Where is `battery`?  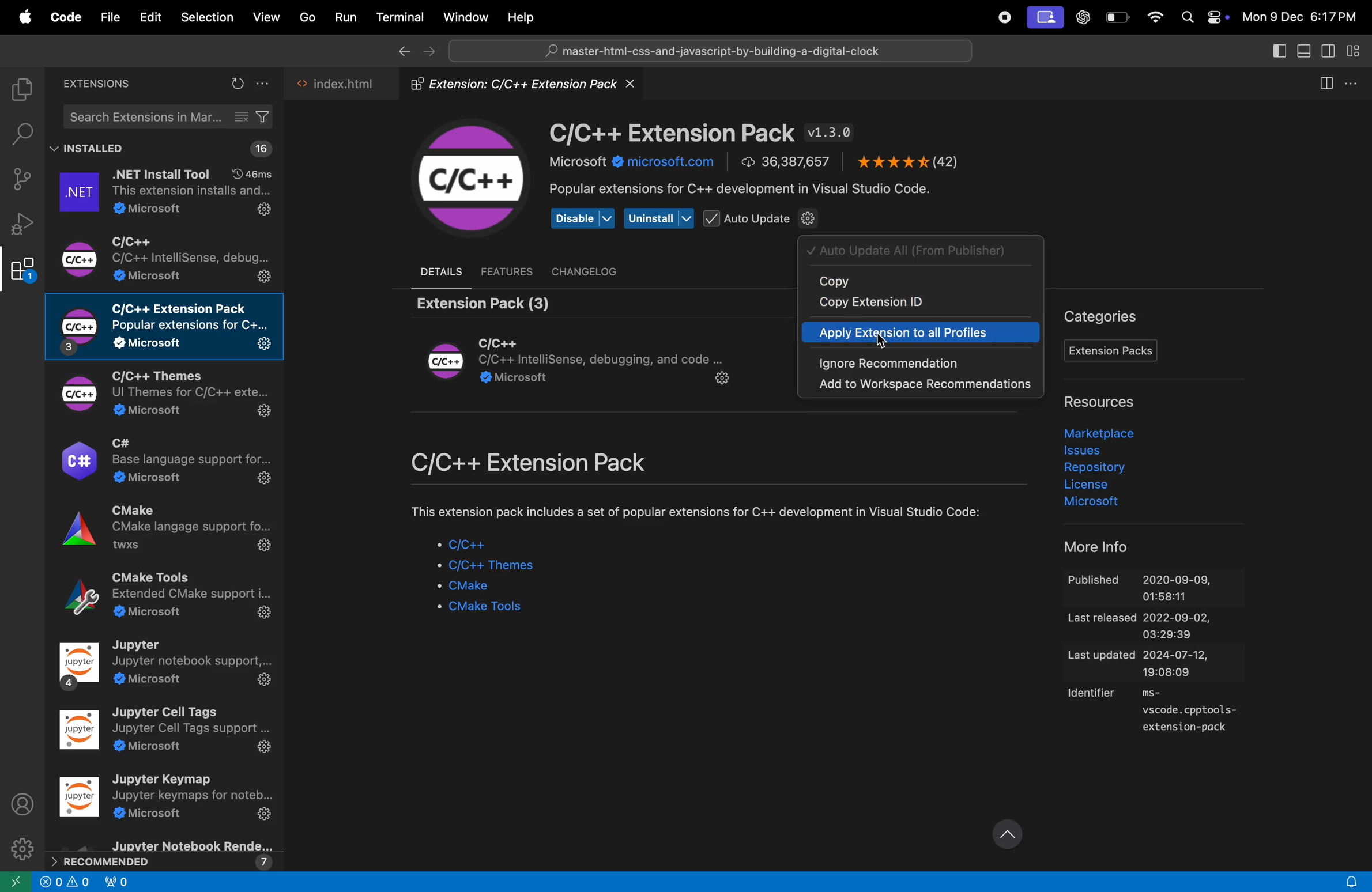
battery is located at coordinates (1117, 17).